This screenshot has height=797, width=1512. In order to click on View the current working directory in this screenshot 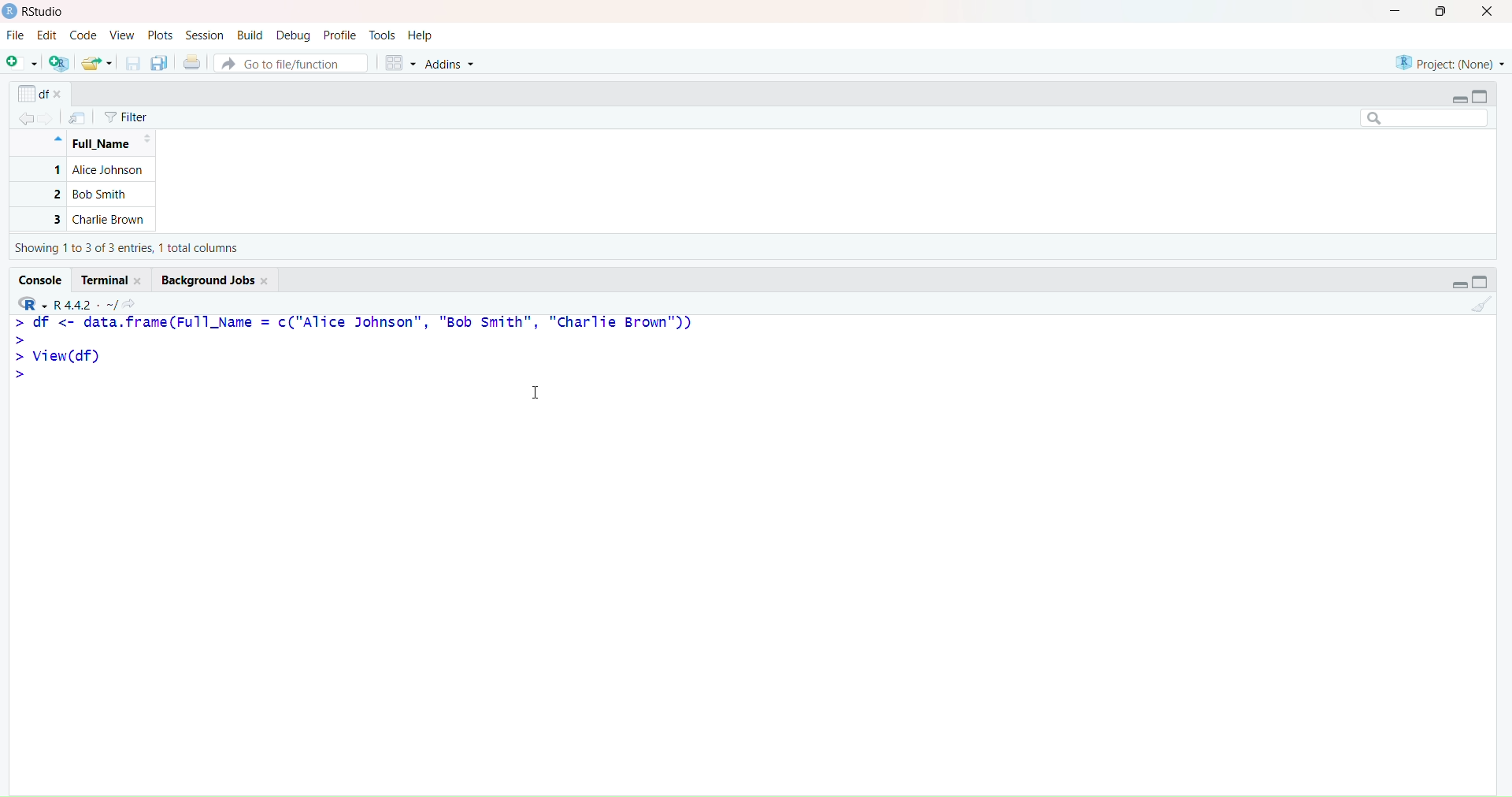, I will do `click(135, 302)`.